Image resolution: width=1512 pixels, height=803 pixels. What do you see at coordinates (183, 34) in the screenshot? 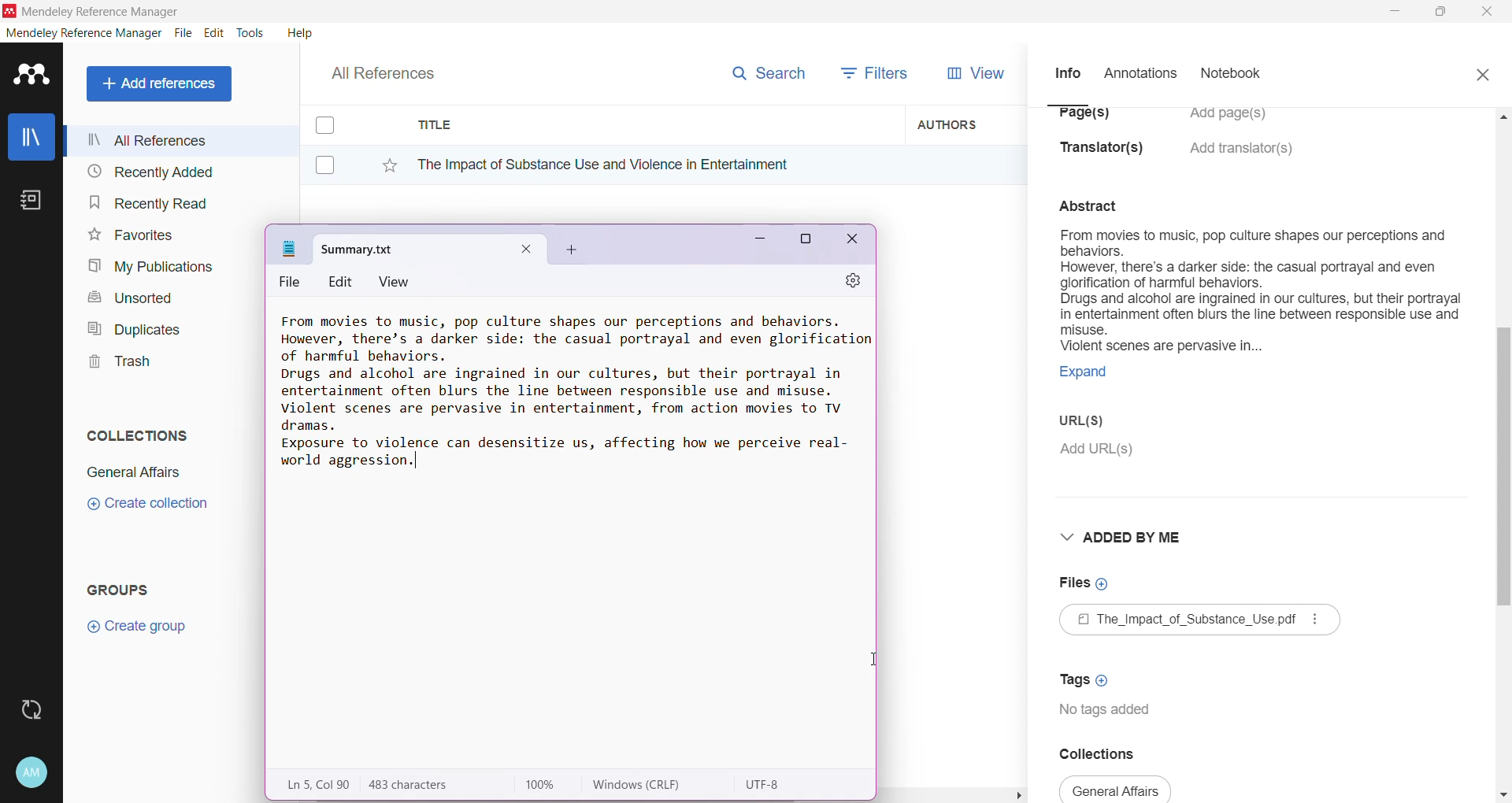
I see `File` at bounding box center [183, 34].